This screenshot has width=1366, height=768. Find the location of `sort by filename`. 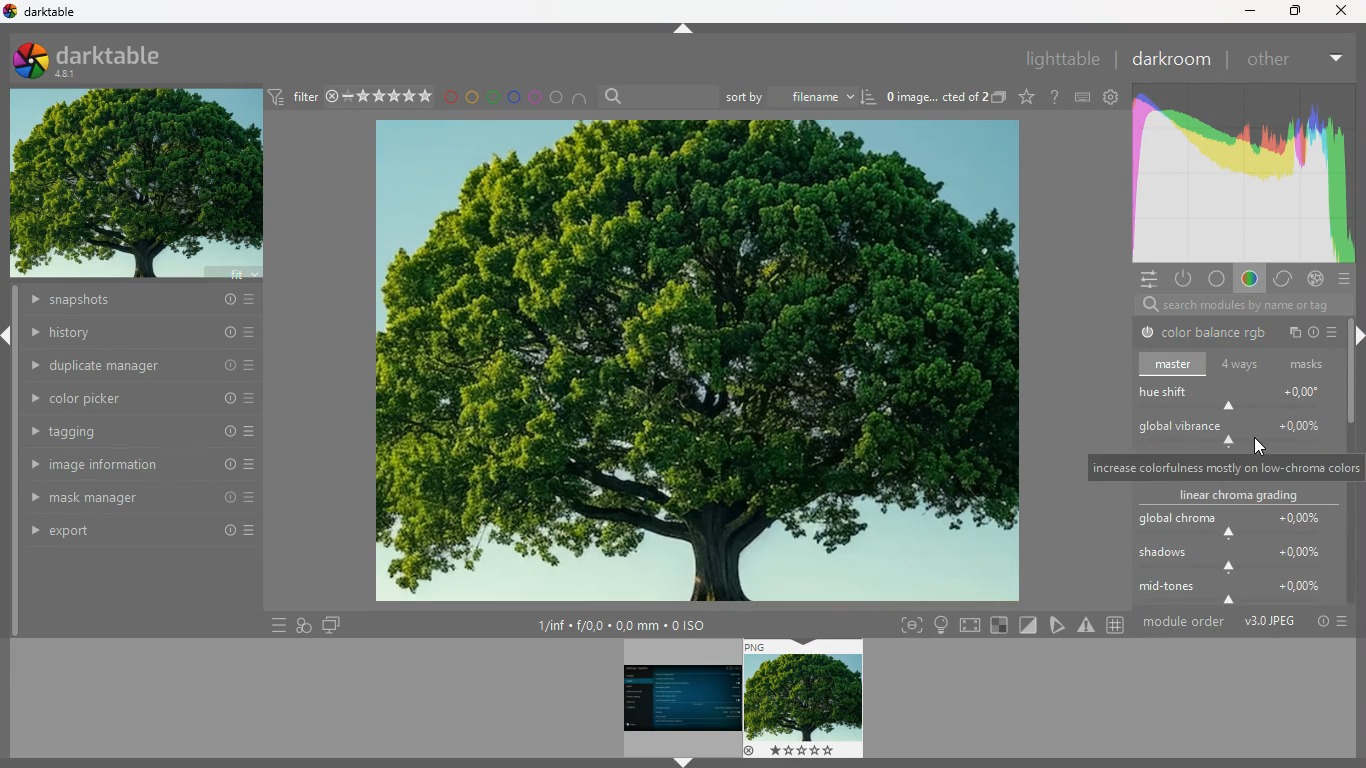

sort by filename is located at coordinates (801, 95).